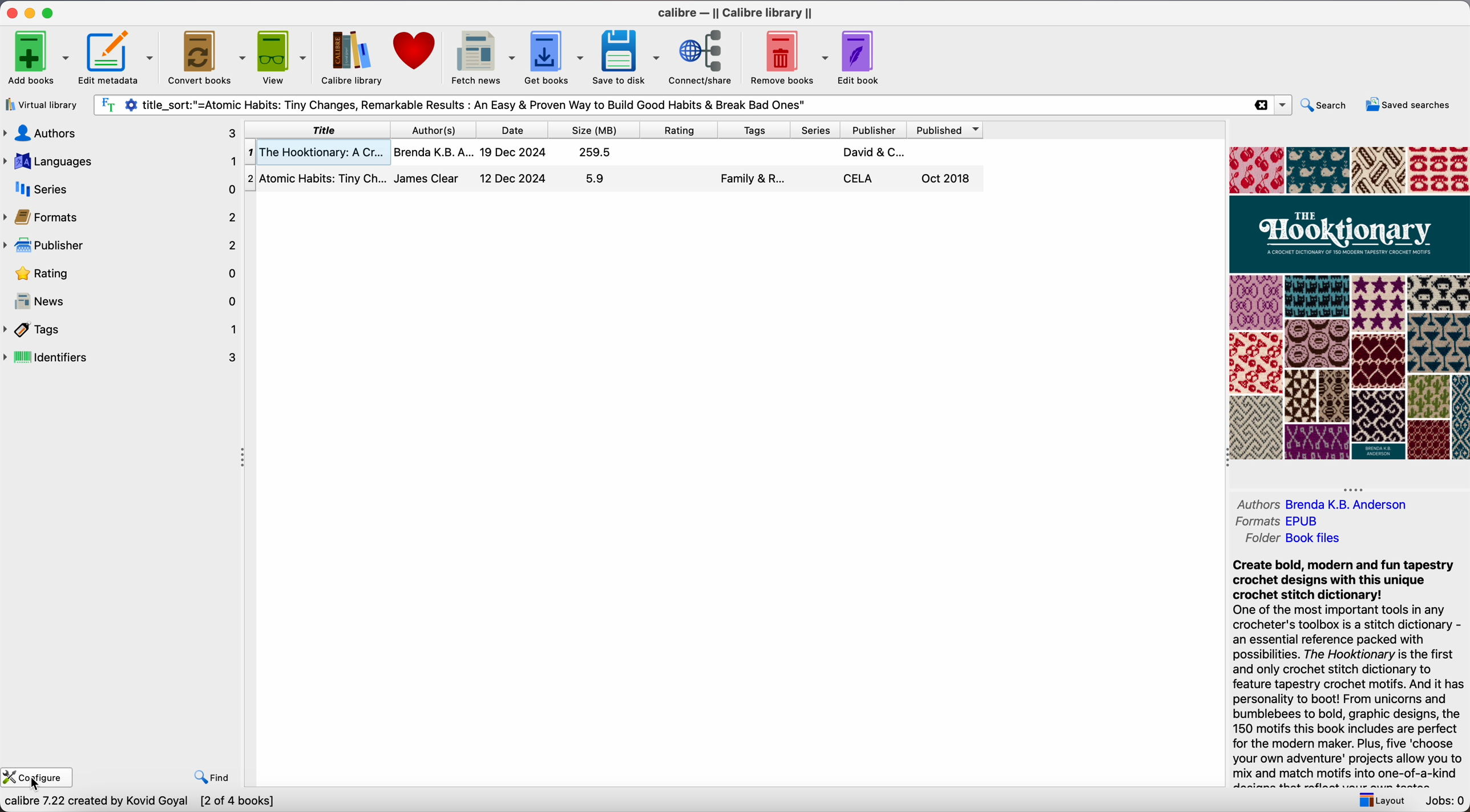  What do you see at coordinates (736, 12) in the screenshot?
I see `Calibre - ||Calibre library||` at bounding box center [736, 12].